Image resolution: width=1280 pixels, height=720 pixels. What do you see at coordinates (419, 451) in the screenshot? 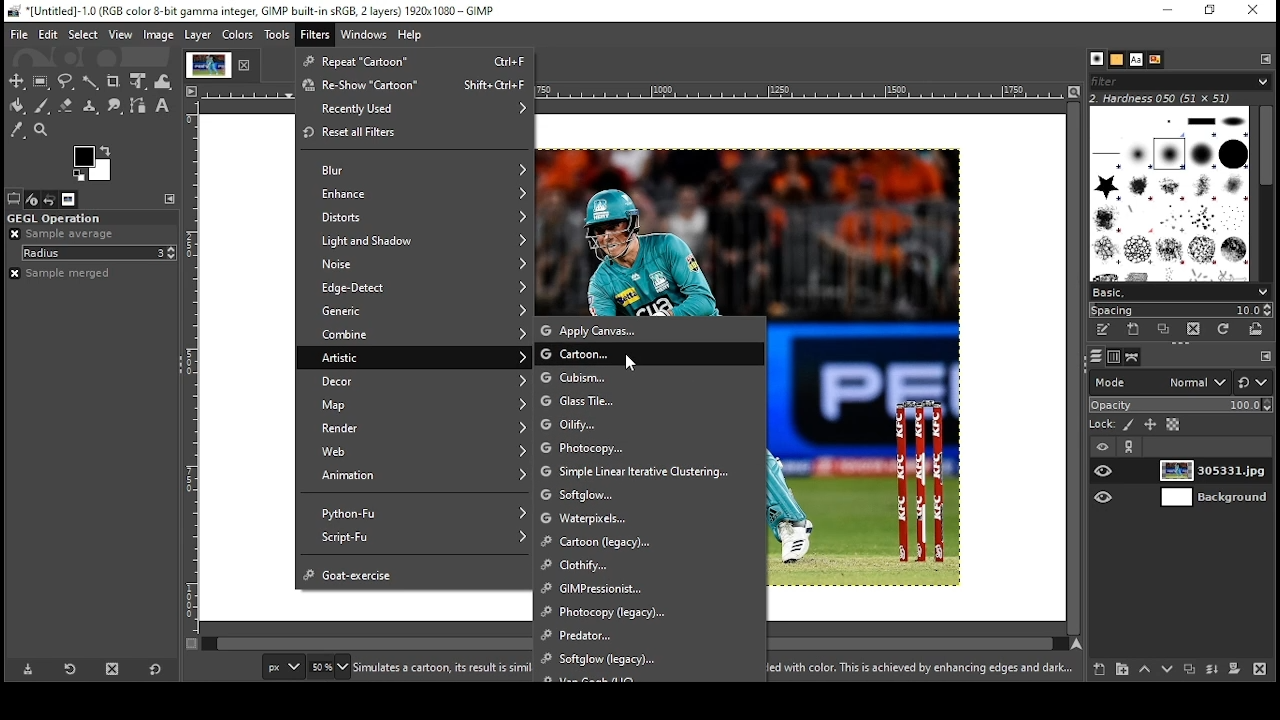
I see `web` at bounding box center [419, 451].